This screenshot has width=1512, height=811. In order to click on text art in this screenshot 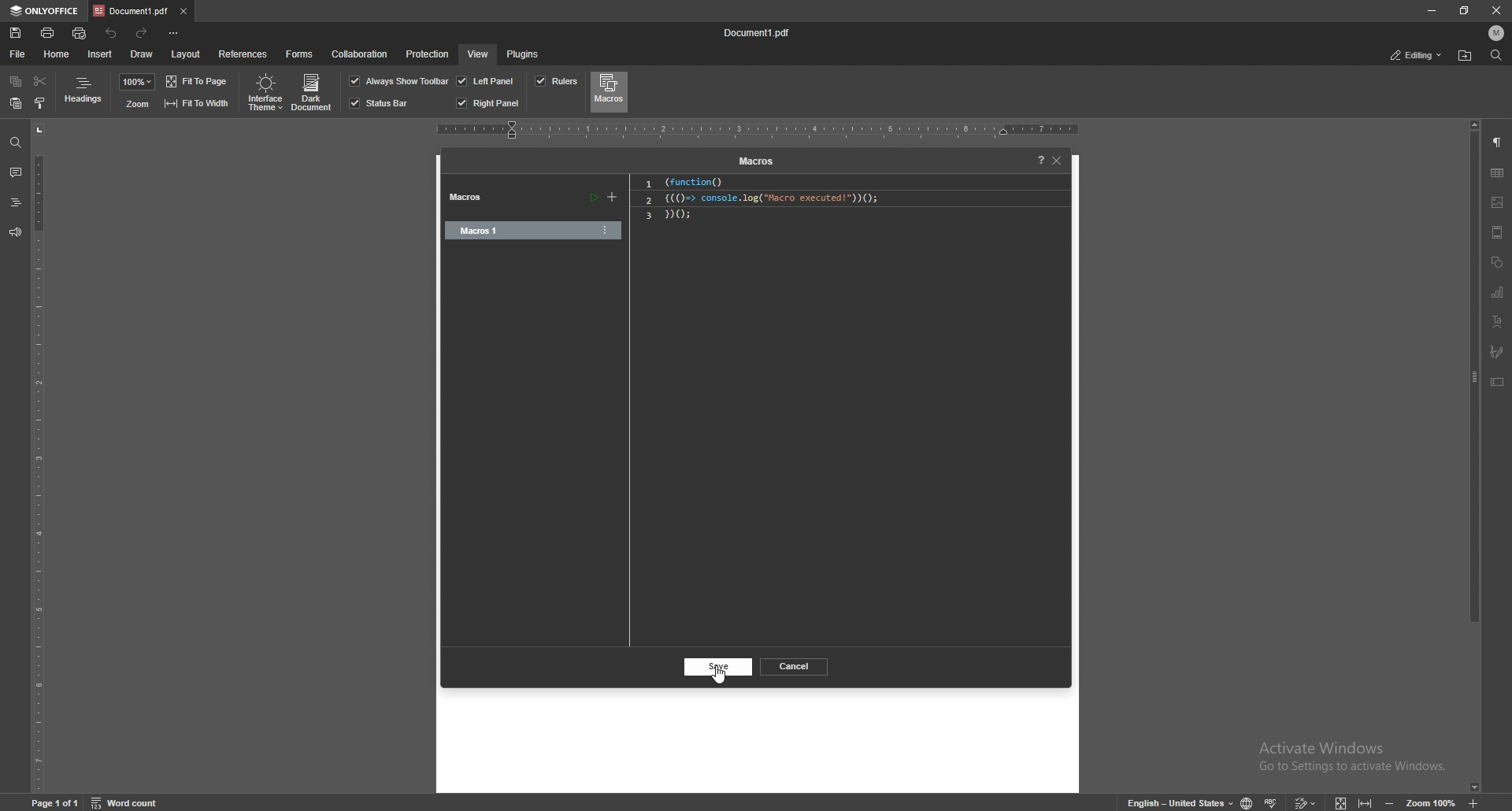, I will do `click(1497, 321)`.